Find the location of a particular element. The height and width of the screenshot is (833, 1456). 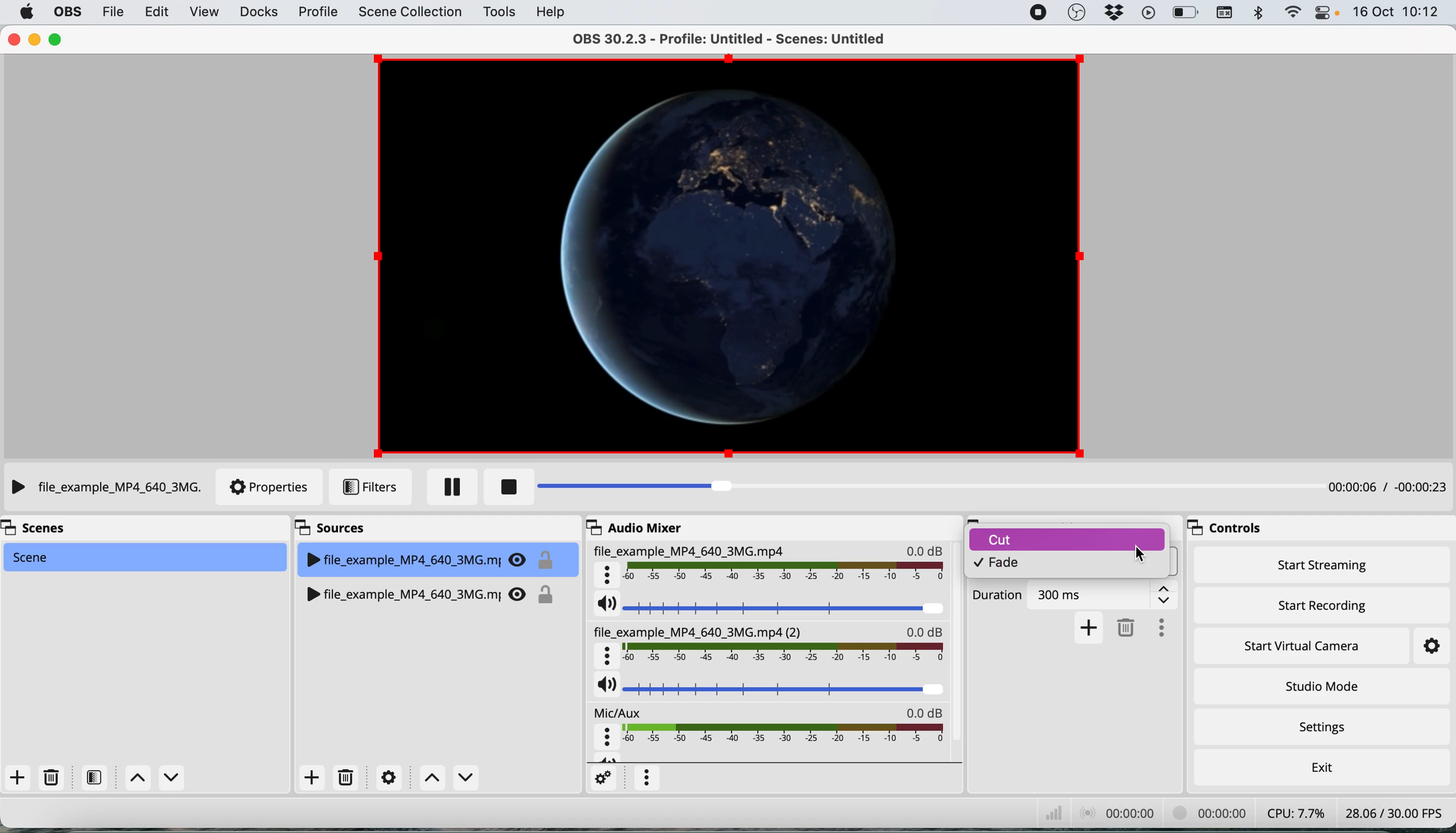

add transition is located at coordinates (1088, 630).